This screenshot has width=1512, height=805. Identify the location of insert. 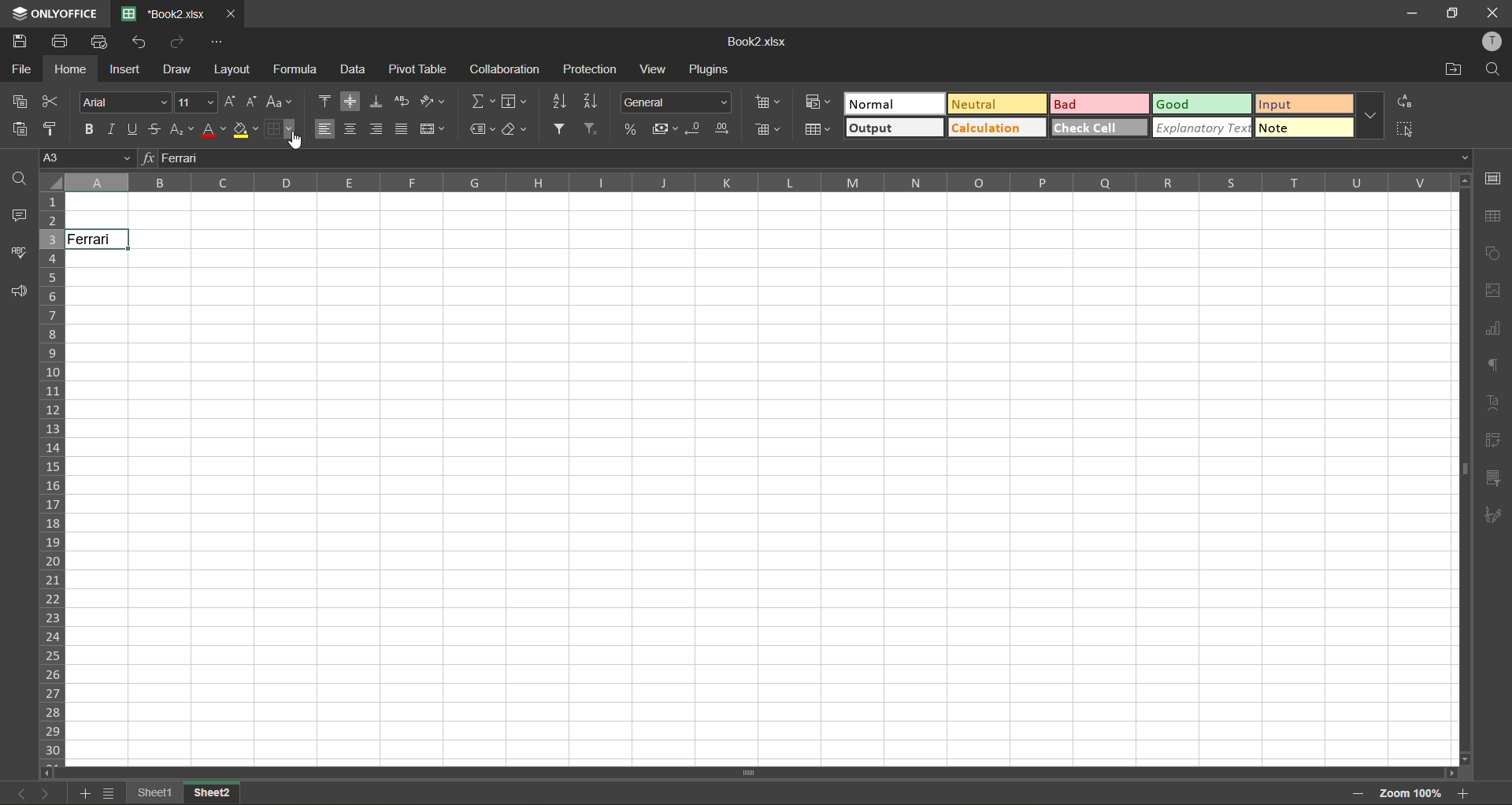
(125, 70).